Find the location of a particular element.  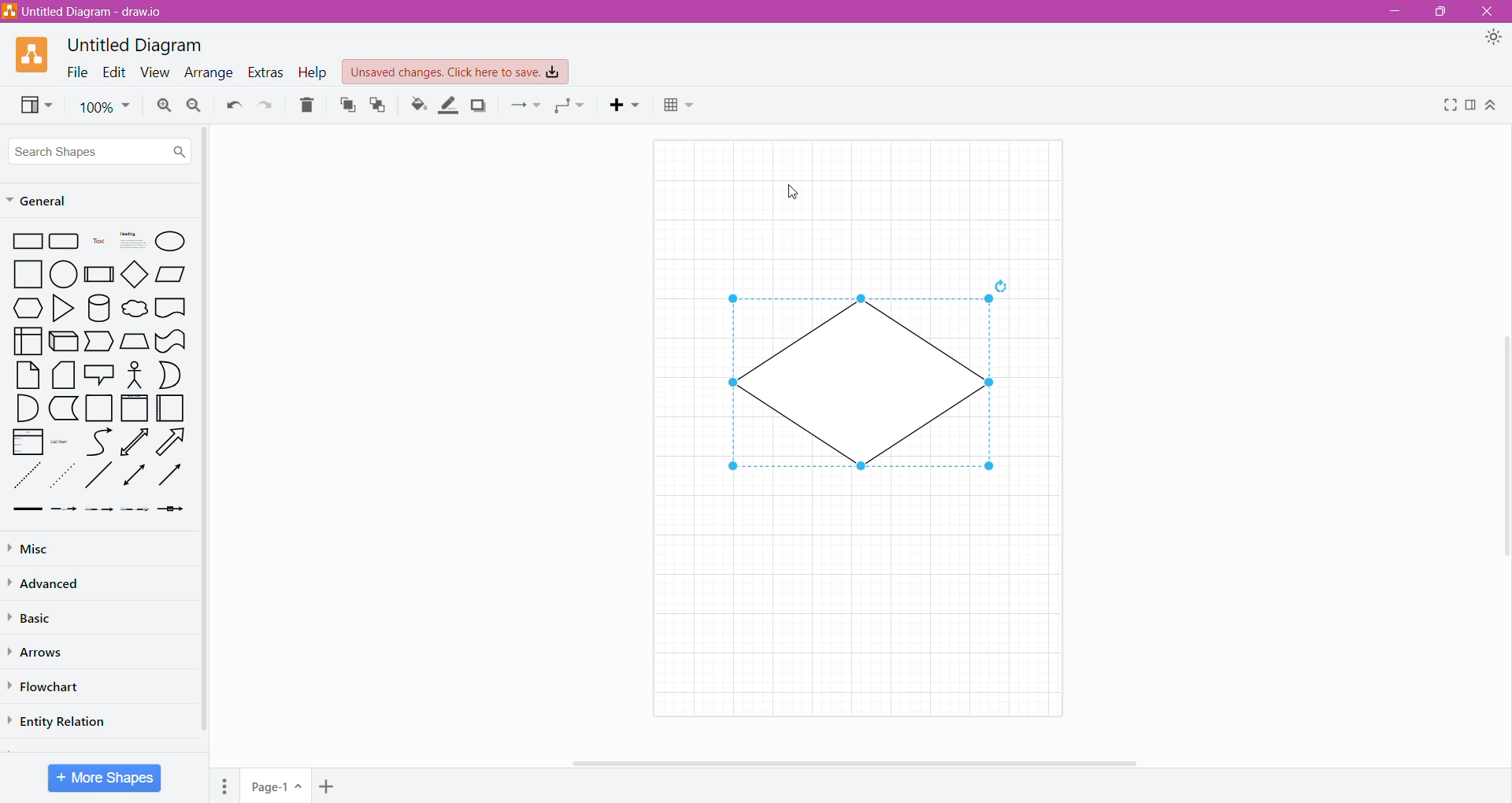

Container is located at coordinates (100, 408).